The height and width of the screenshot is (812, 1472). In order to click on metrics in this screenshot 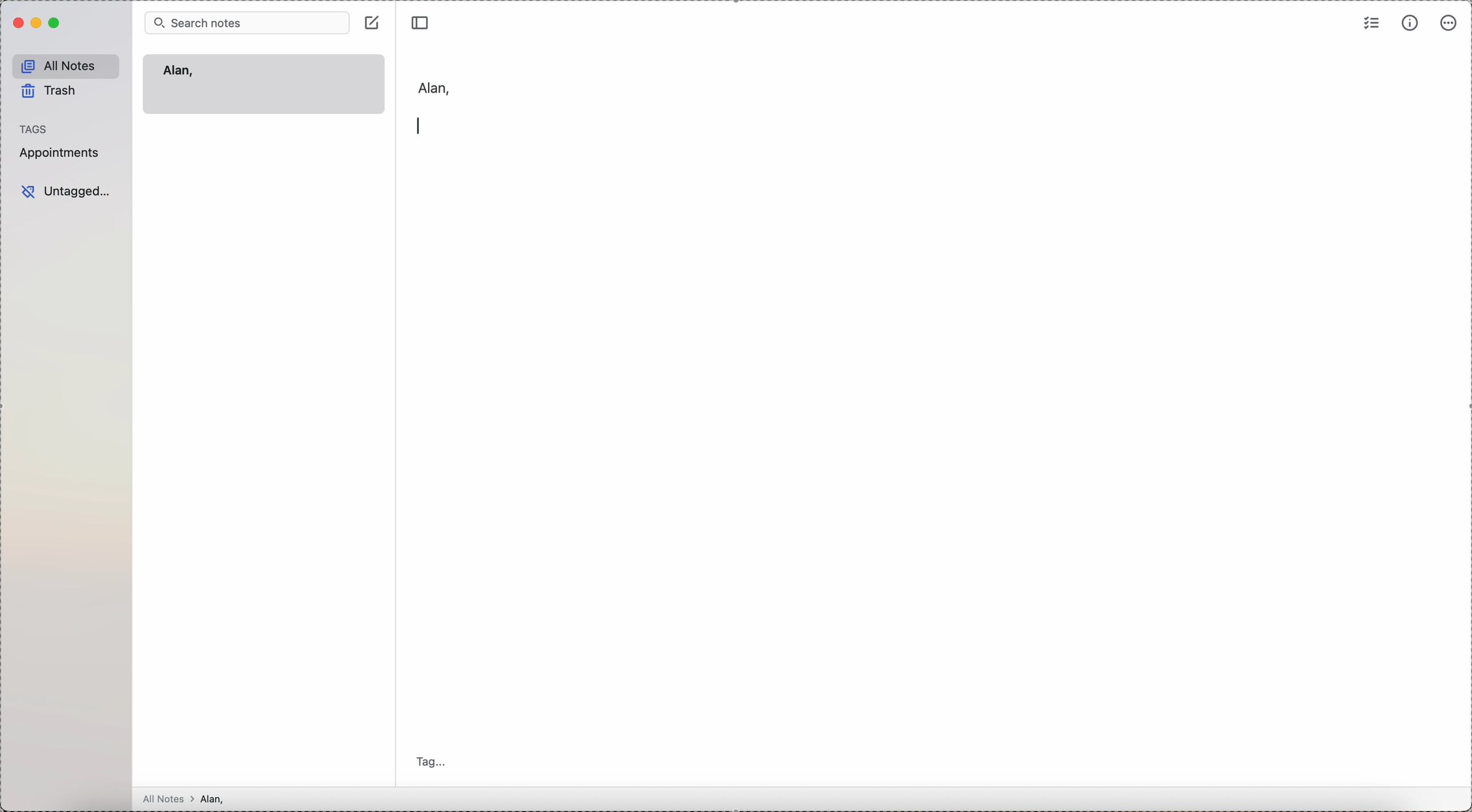, I will do `click(1410, 23)`.